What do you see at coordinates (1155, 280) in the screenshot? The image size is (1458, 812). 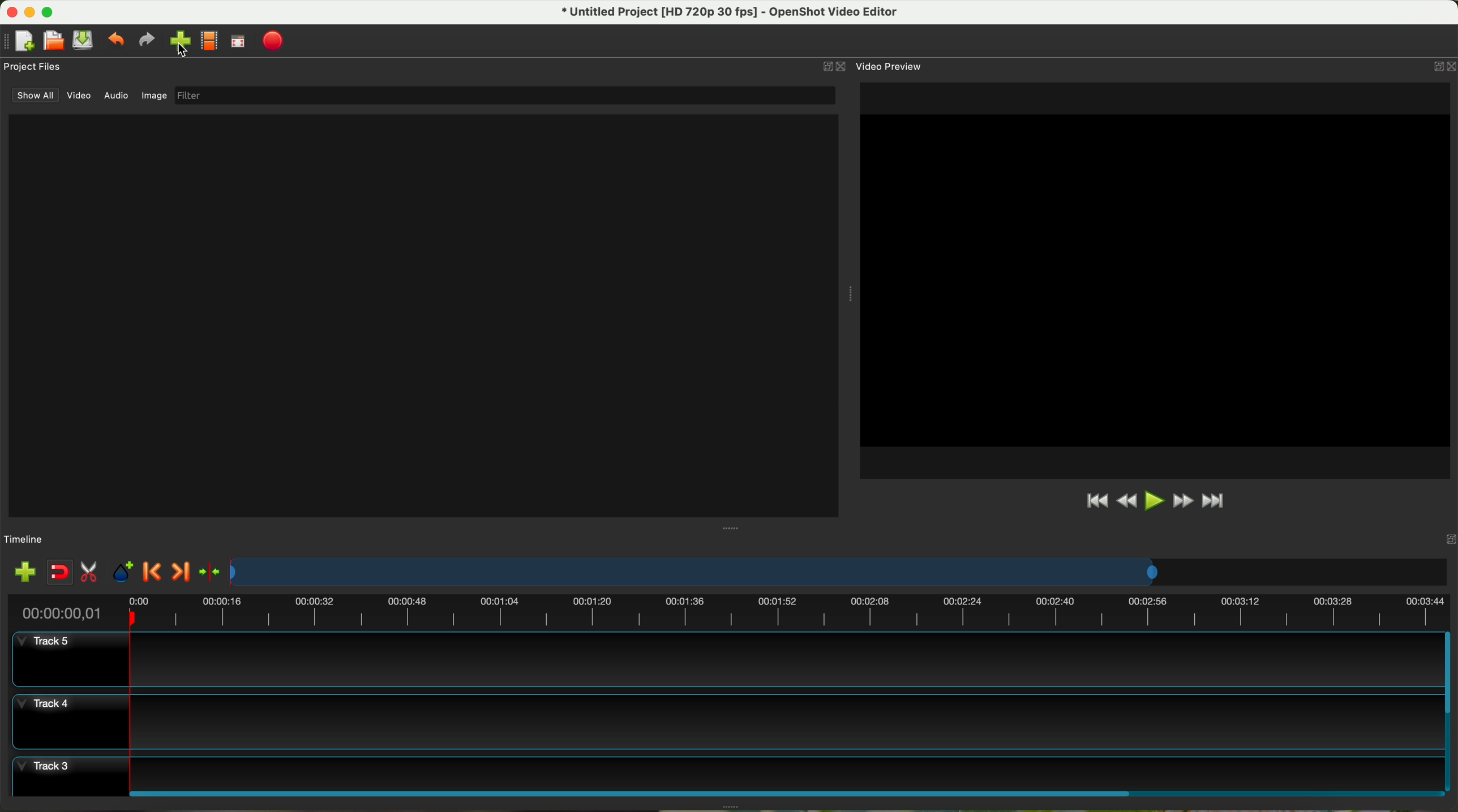 I see `workspace` at bounding box center [1155, 280].